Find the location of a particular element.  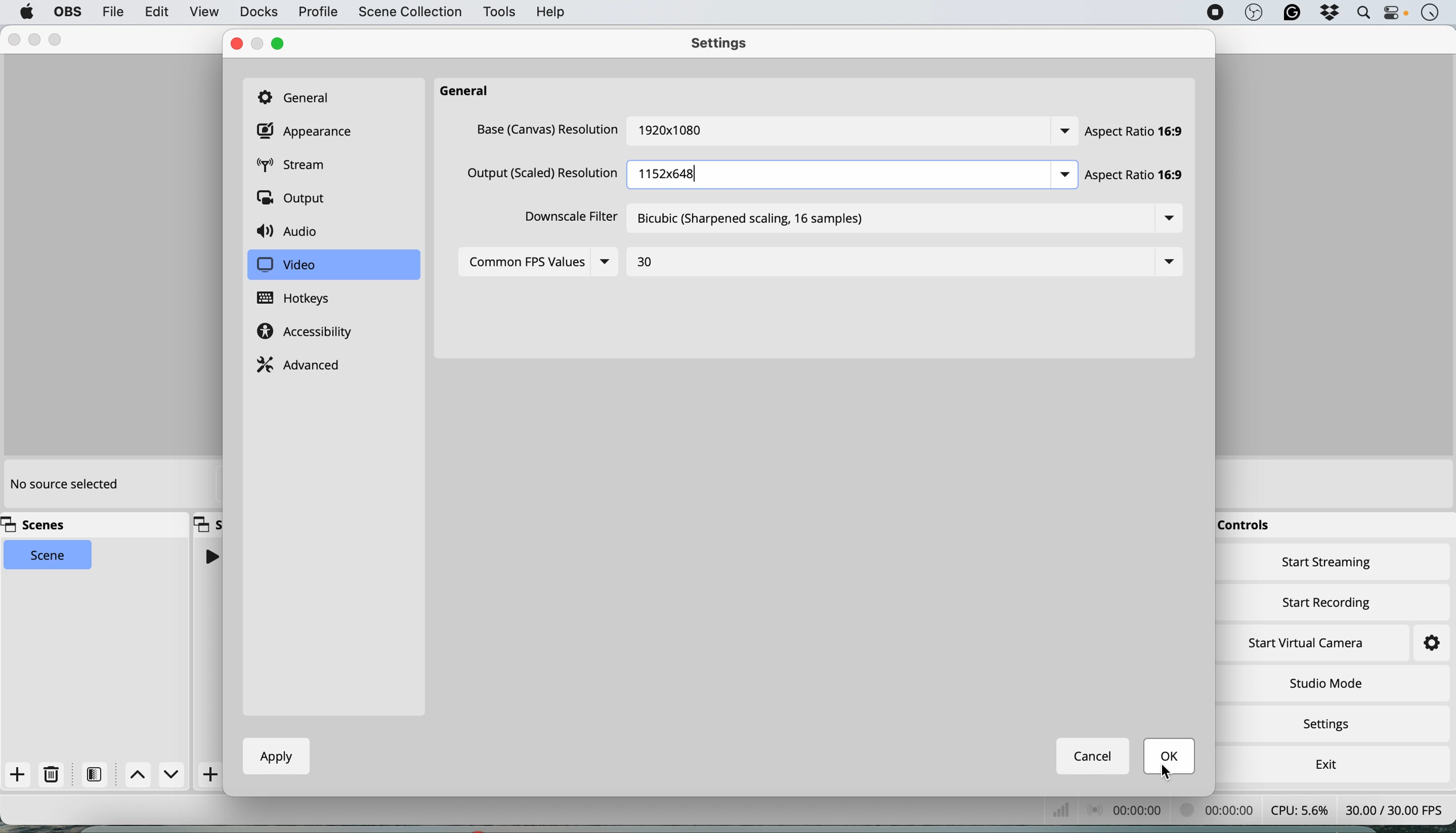

time is located at coordinates (1430, 14).